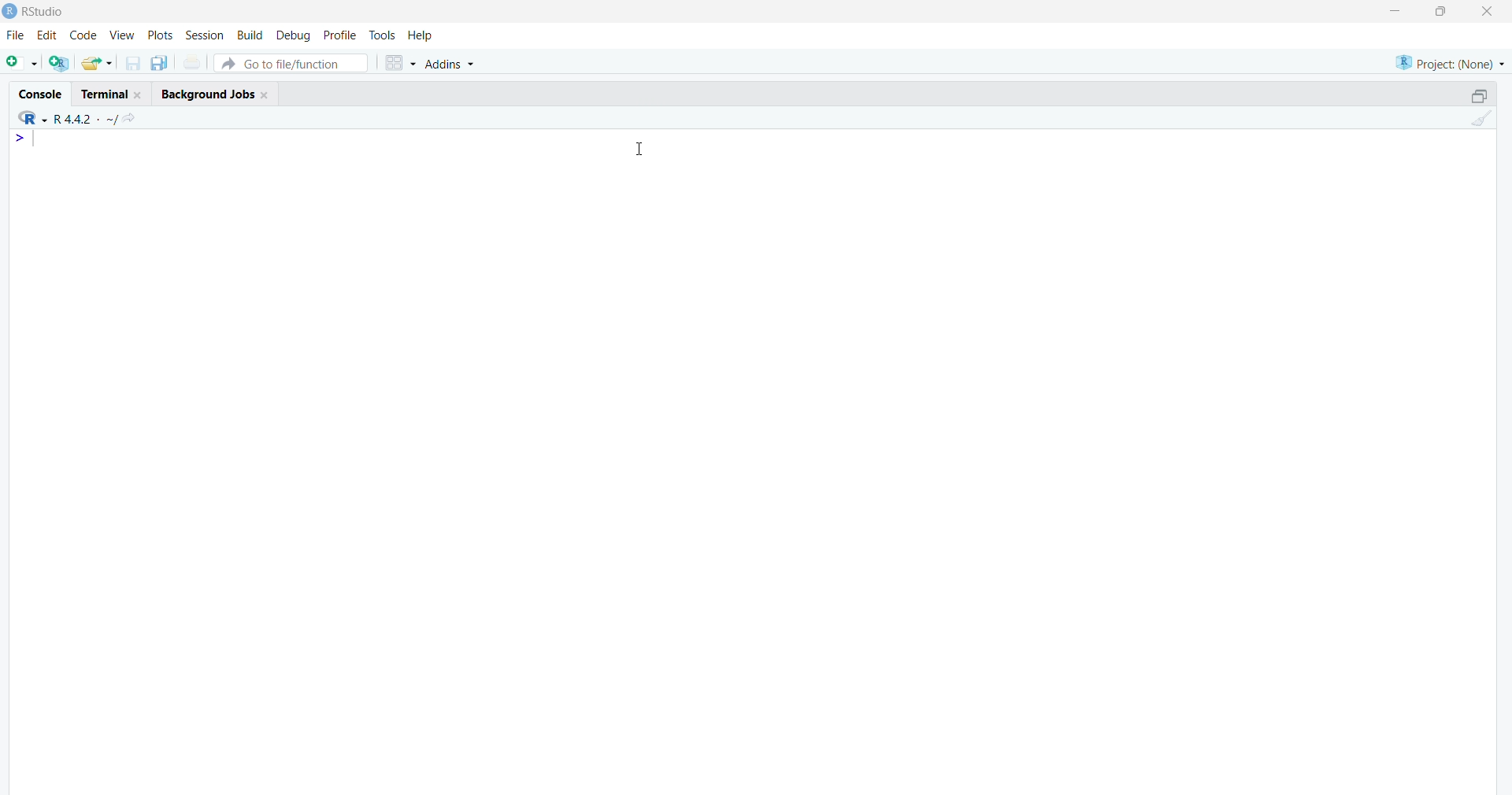 Image resolution: width=1512 pixels, height=795 pixels. Describe the element at coordinates (29, 118) in the screenshot. I see `R language` at that location.